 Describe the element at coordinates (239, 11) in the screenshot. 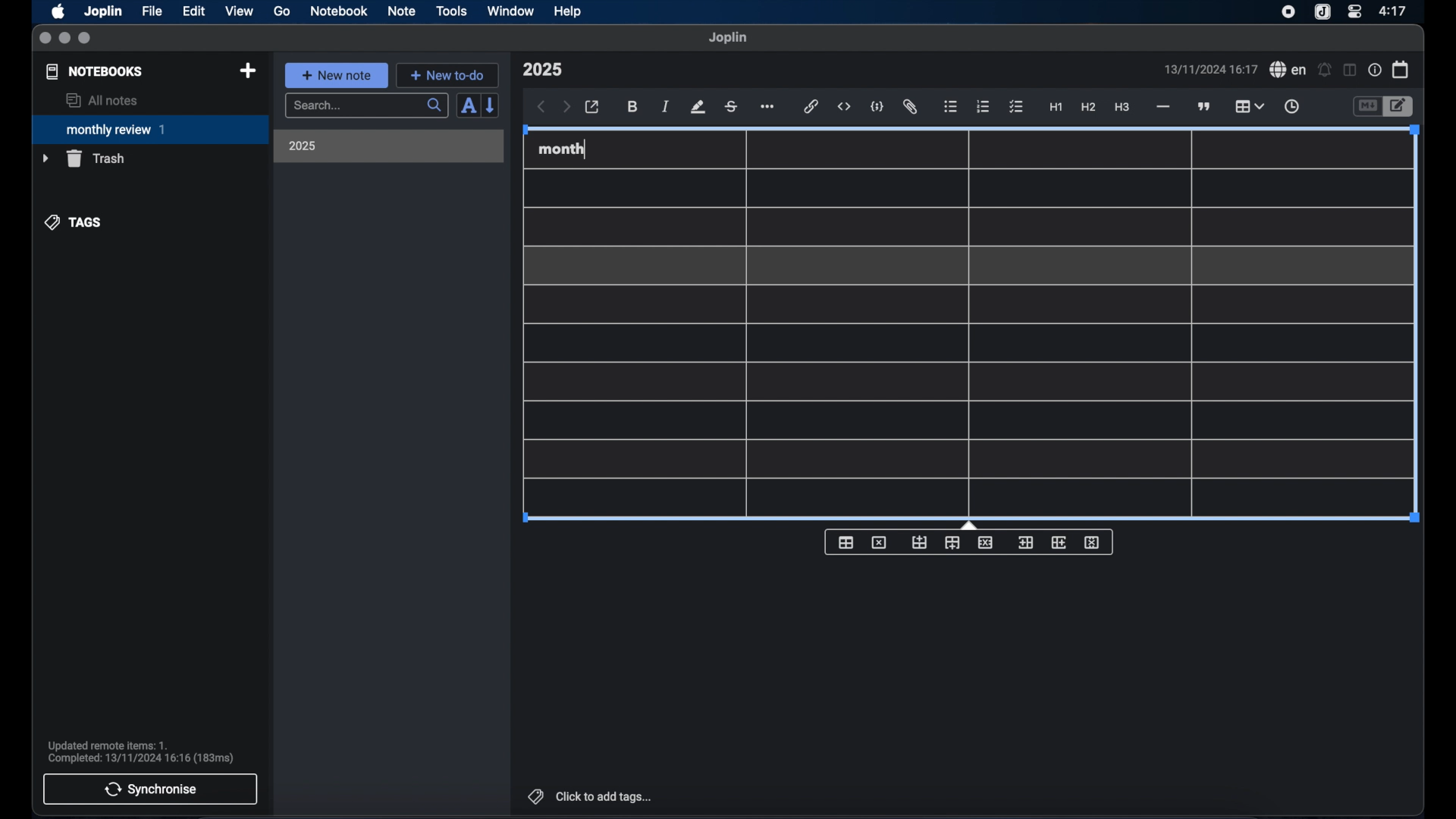

I see `view` at that location.